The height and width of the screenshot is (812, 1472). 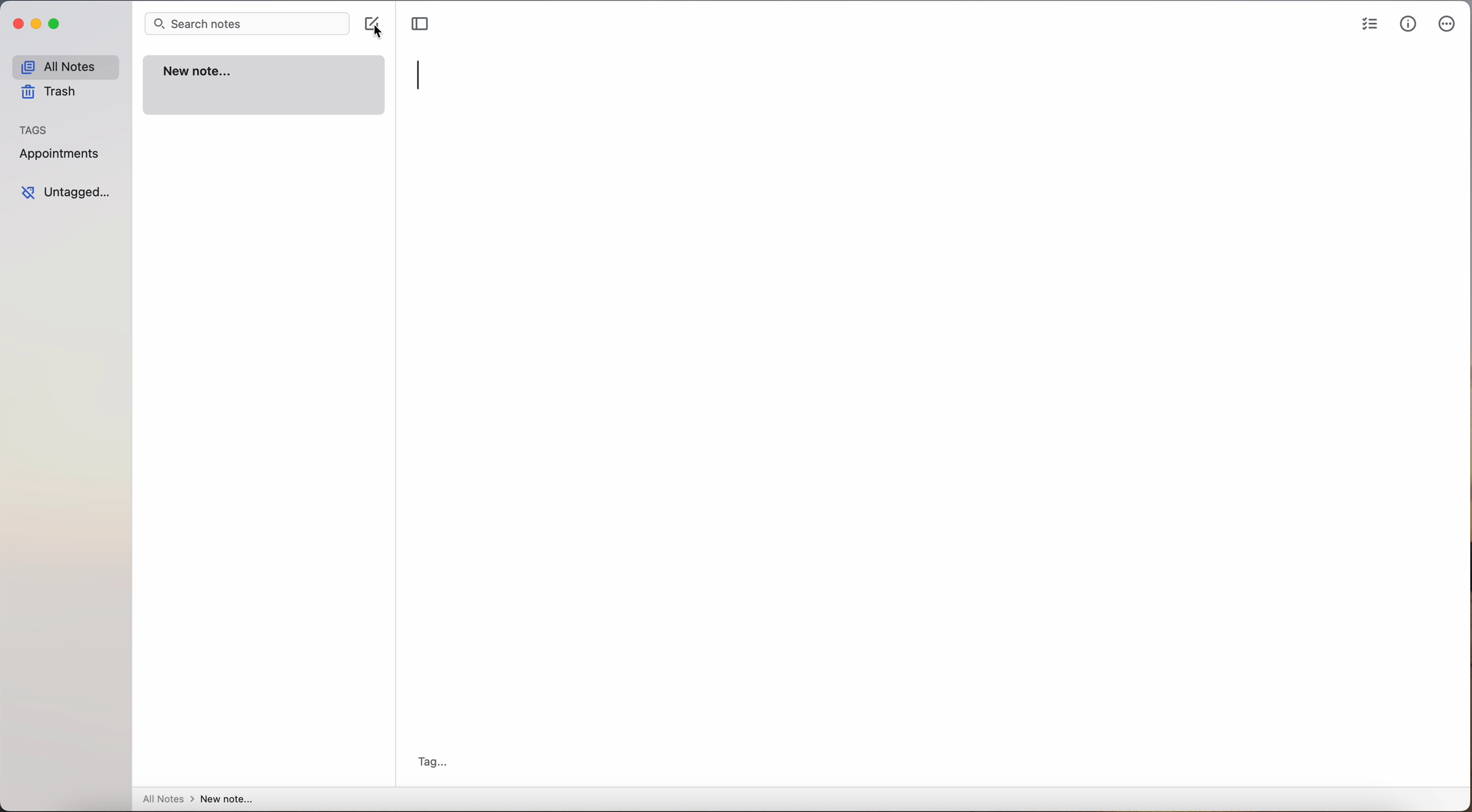 I want to click on tags, so click(x=37, y=129).